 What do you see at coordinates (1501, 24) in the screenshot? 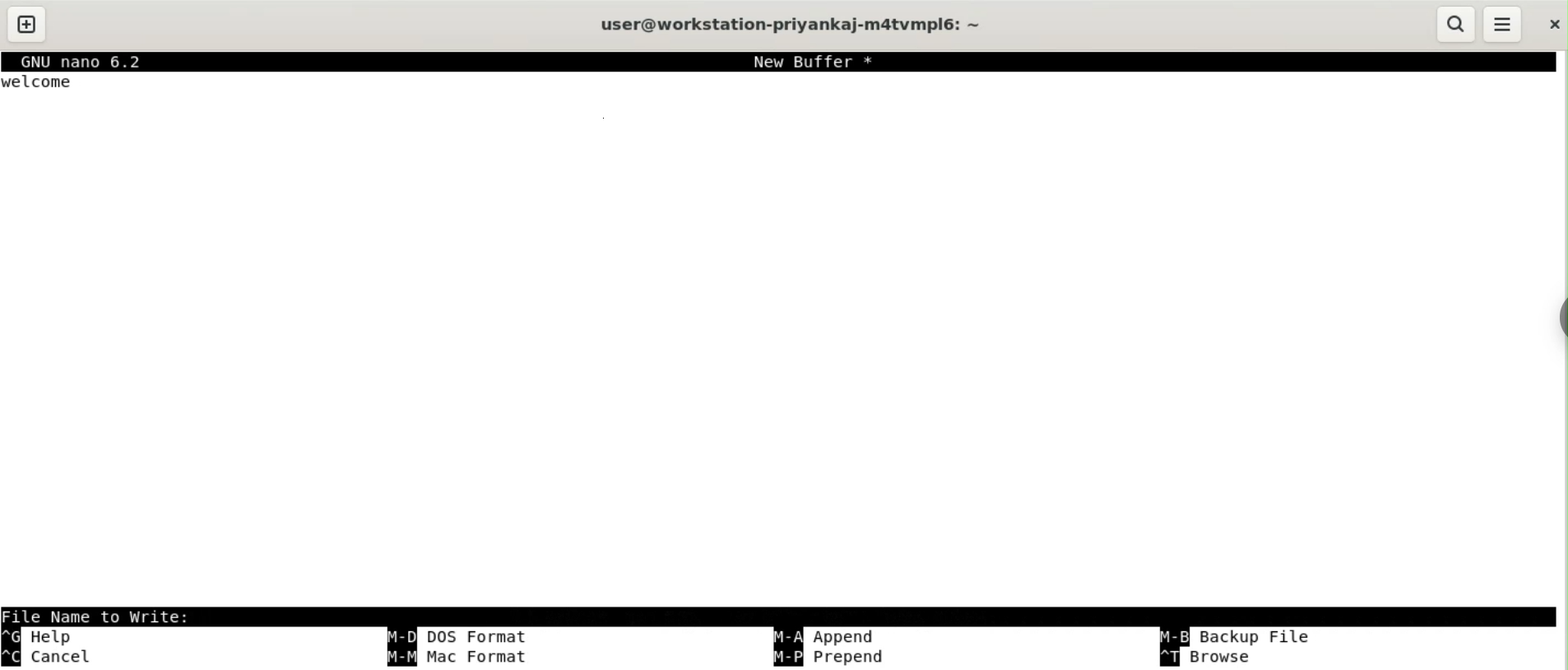
I see `menu` at bounding box center [1501, 24].